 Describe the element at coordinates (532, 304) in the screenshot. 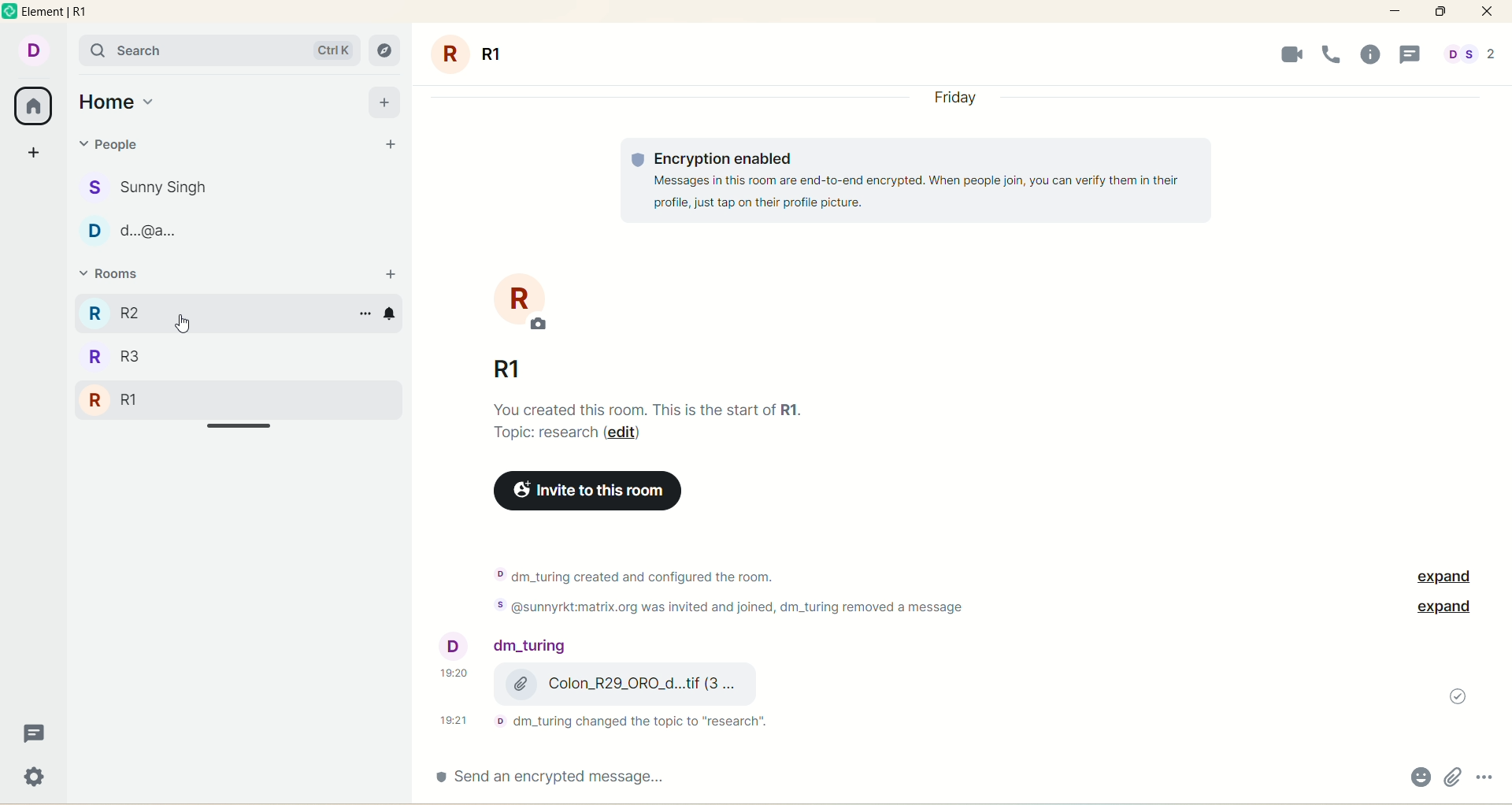

I see `room` at that location.